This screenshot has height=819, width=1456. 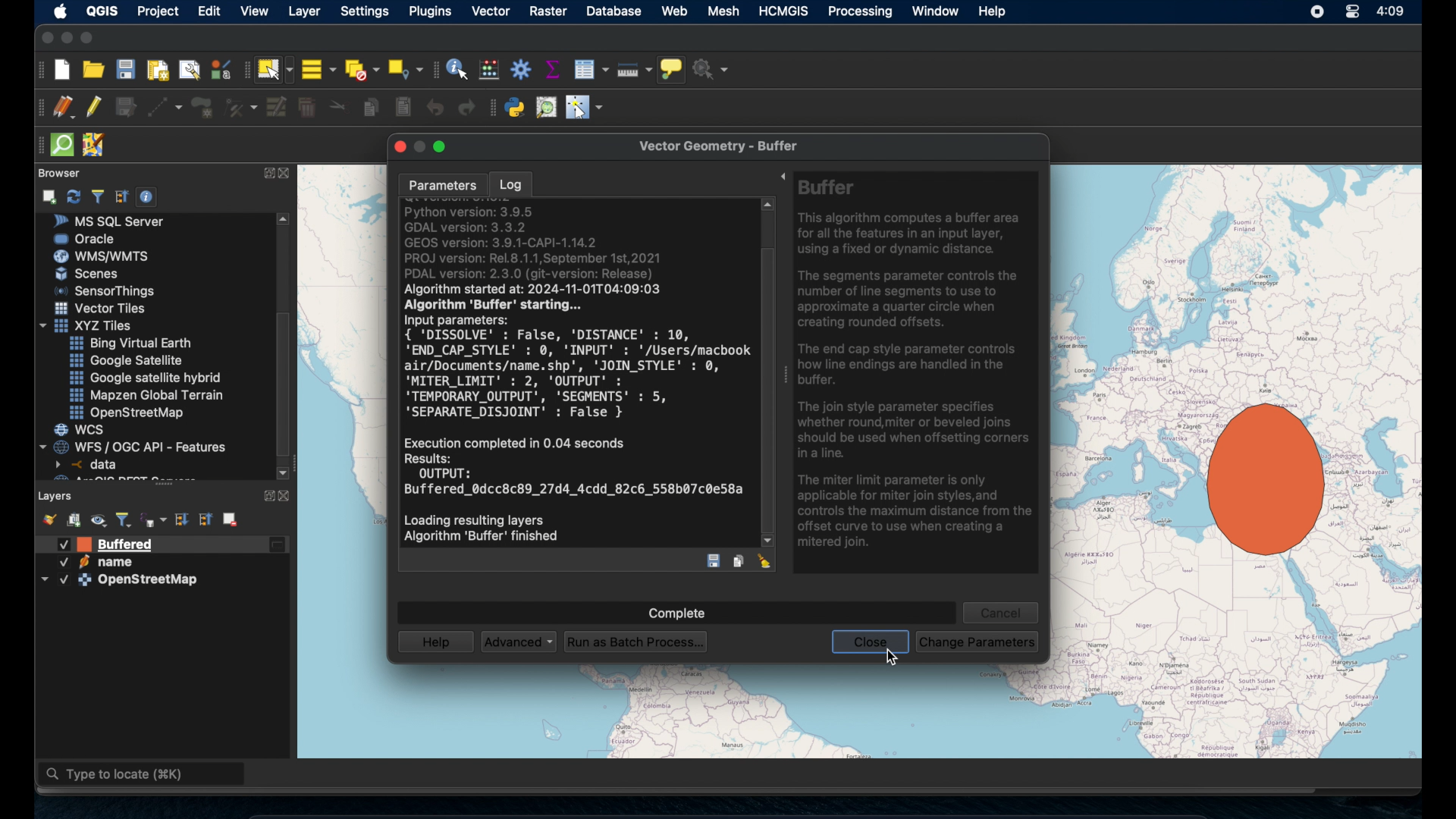 What do you see at coordinates (275, 69) in the screenshot?
I see `select features by area or single click` at bounding box center [275, 69].